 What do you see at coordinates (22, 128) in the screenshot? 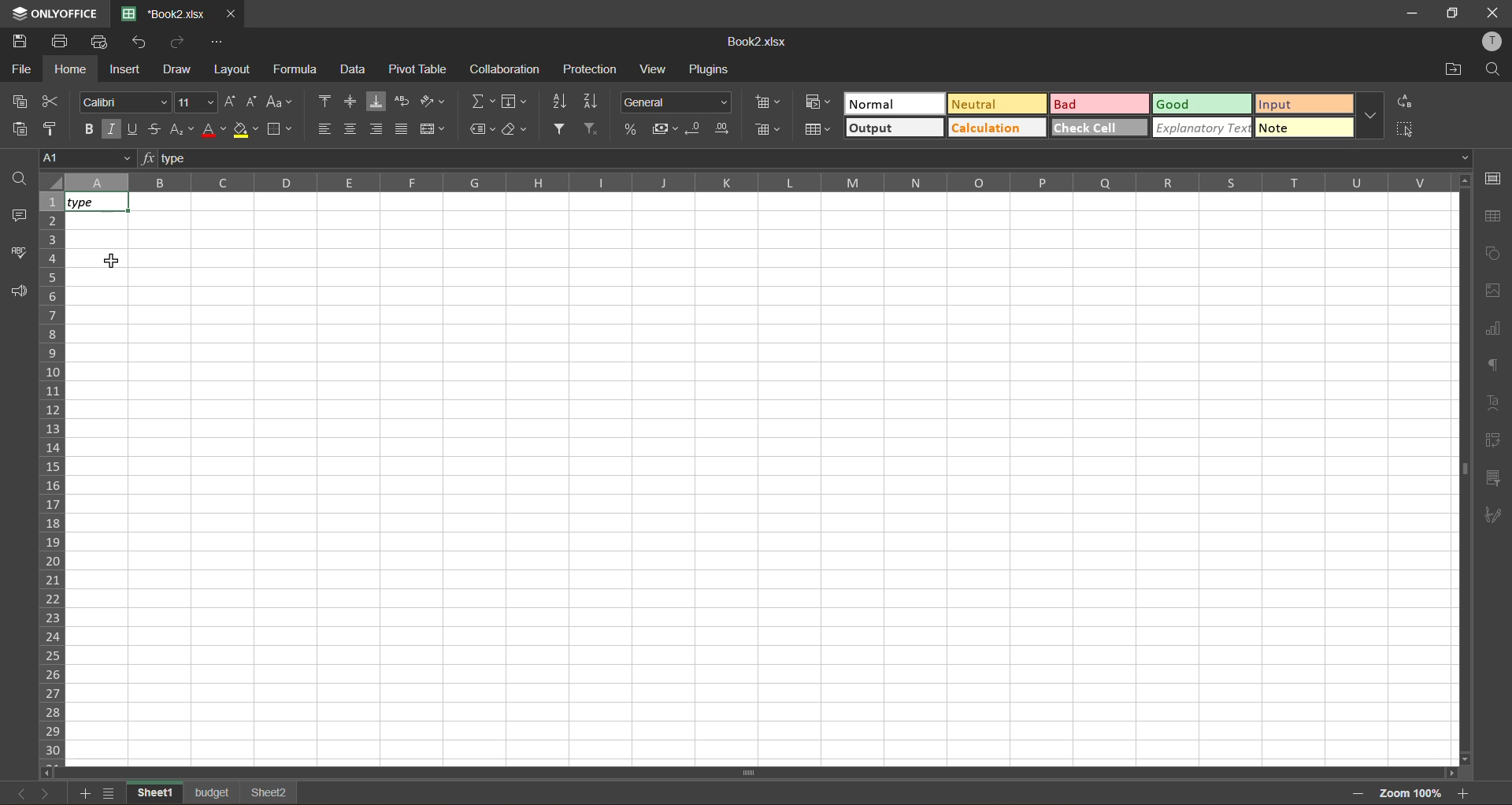
I see `paste` at bounding box center [22, 128].